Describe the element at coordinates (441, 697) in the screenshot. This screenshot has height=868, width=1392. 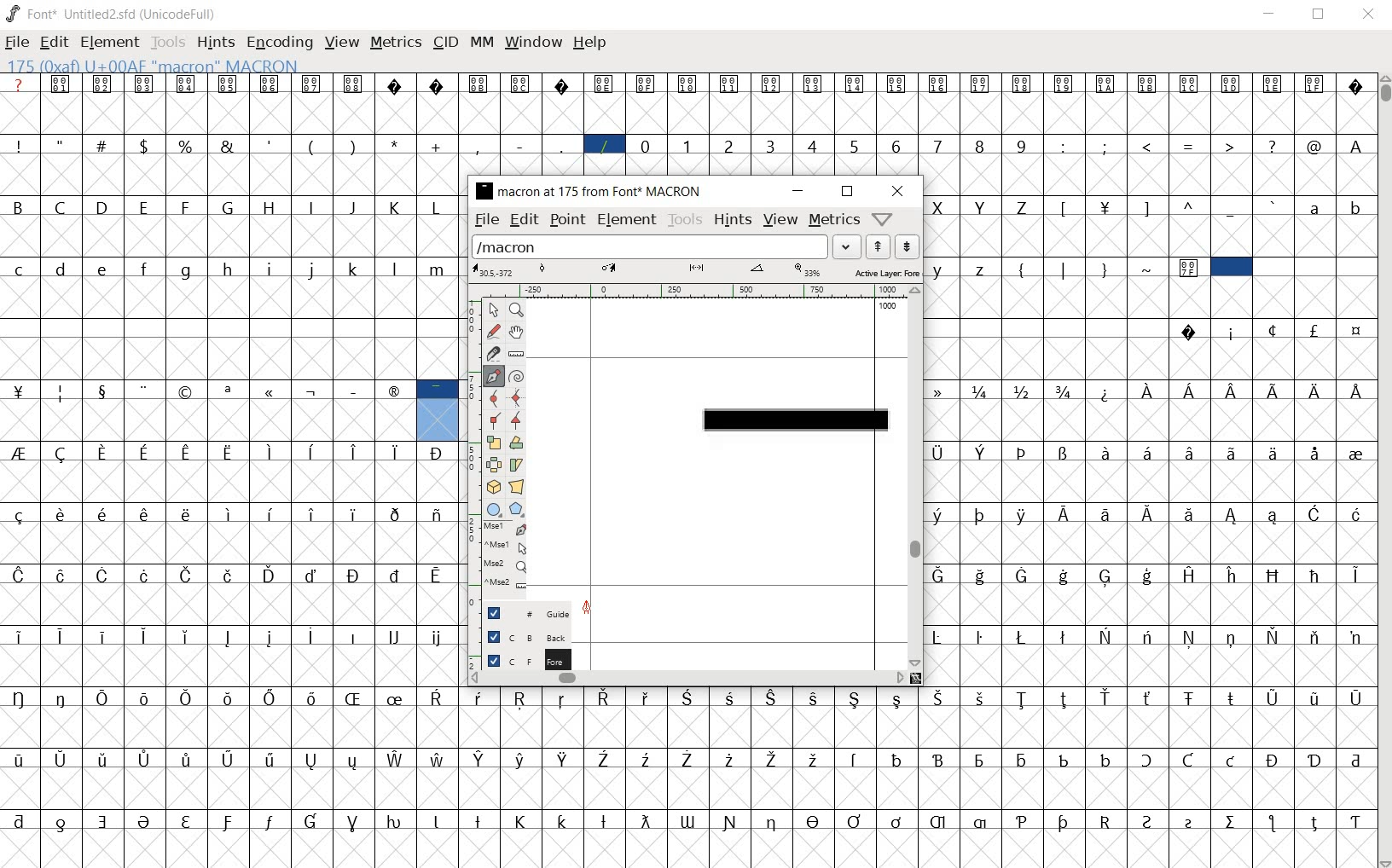
I see `Symbol` at that location.